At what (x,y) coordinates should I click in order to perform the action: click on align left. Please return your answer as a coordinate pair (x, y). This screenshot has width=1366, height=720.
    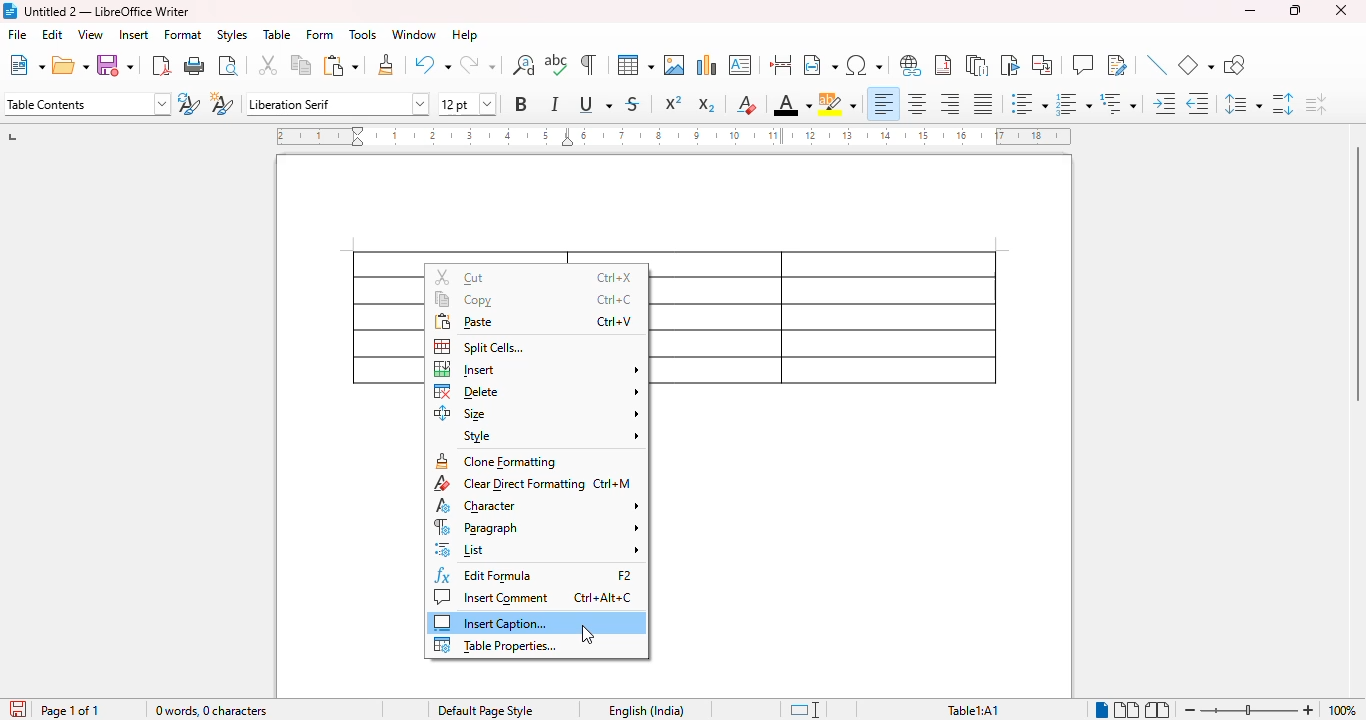
    Looking at the image, I should click on (884, 104).